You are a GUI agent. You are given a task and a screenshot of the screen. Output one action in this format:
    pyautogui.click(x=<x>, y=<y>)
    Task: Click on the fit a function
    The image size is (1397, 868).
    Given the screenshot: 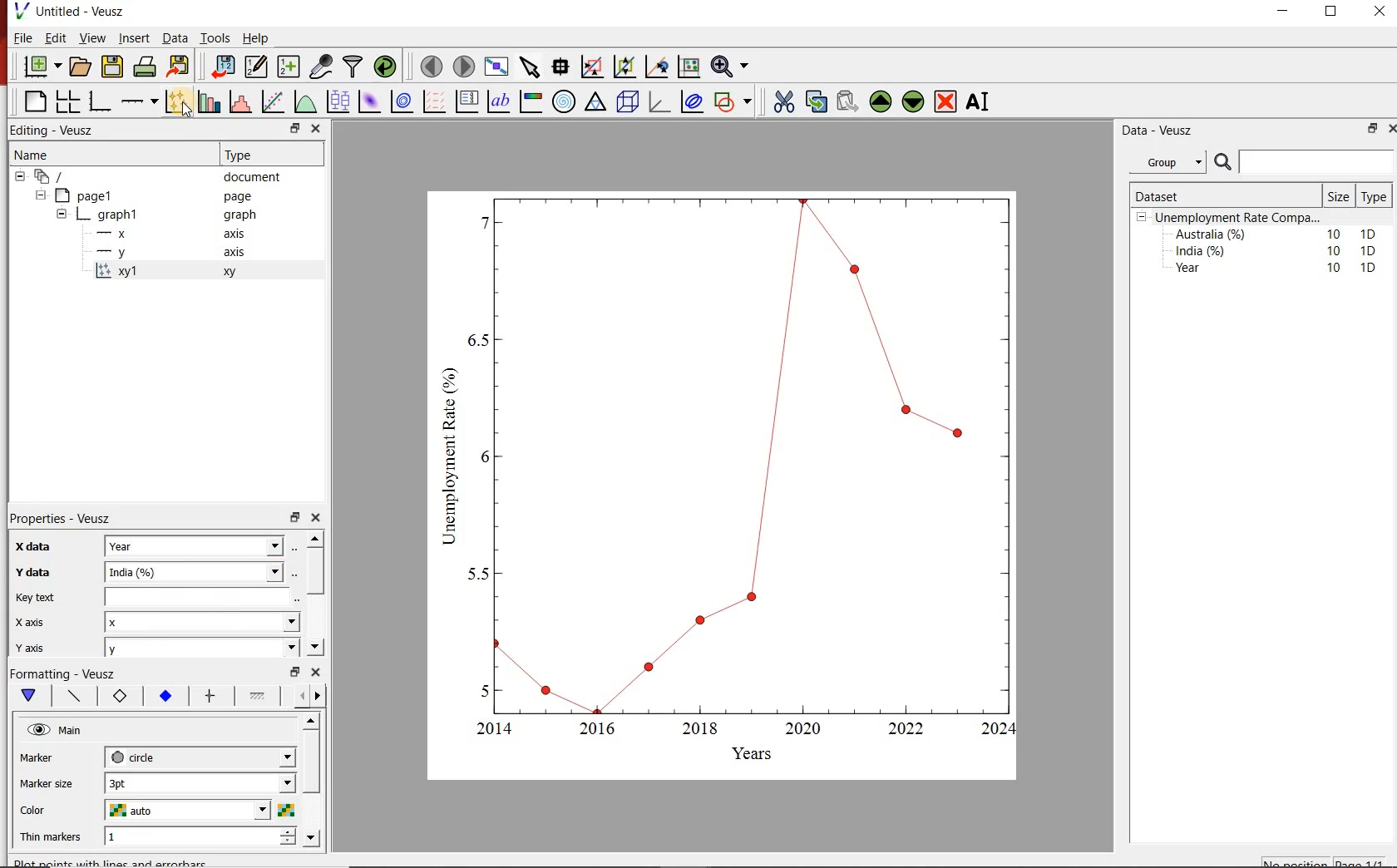 What is the action you would take?
    pyautogui.click(x=272, y=101)
    